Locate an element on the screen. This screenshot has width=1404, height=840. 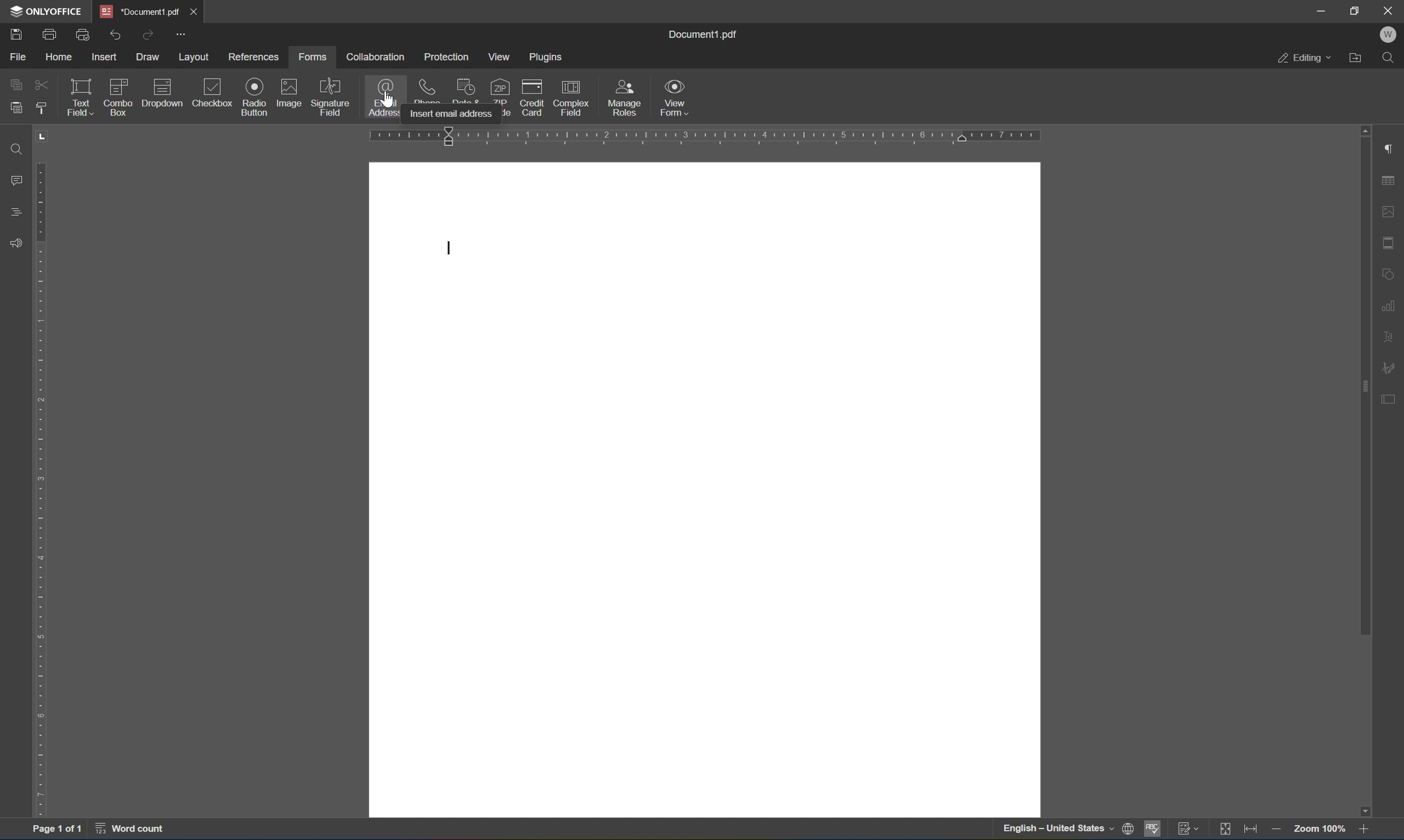
feedback & support is located at coordinates (18, 243).